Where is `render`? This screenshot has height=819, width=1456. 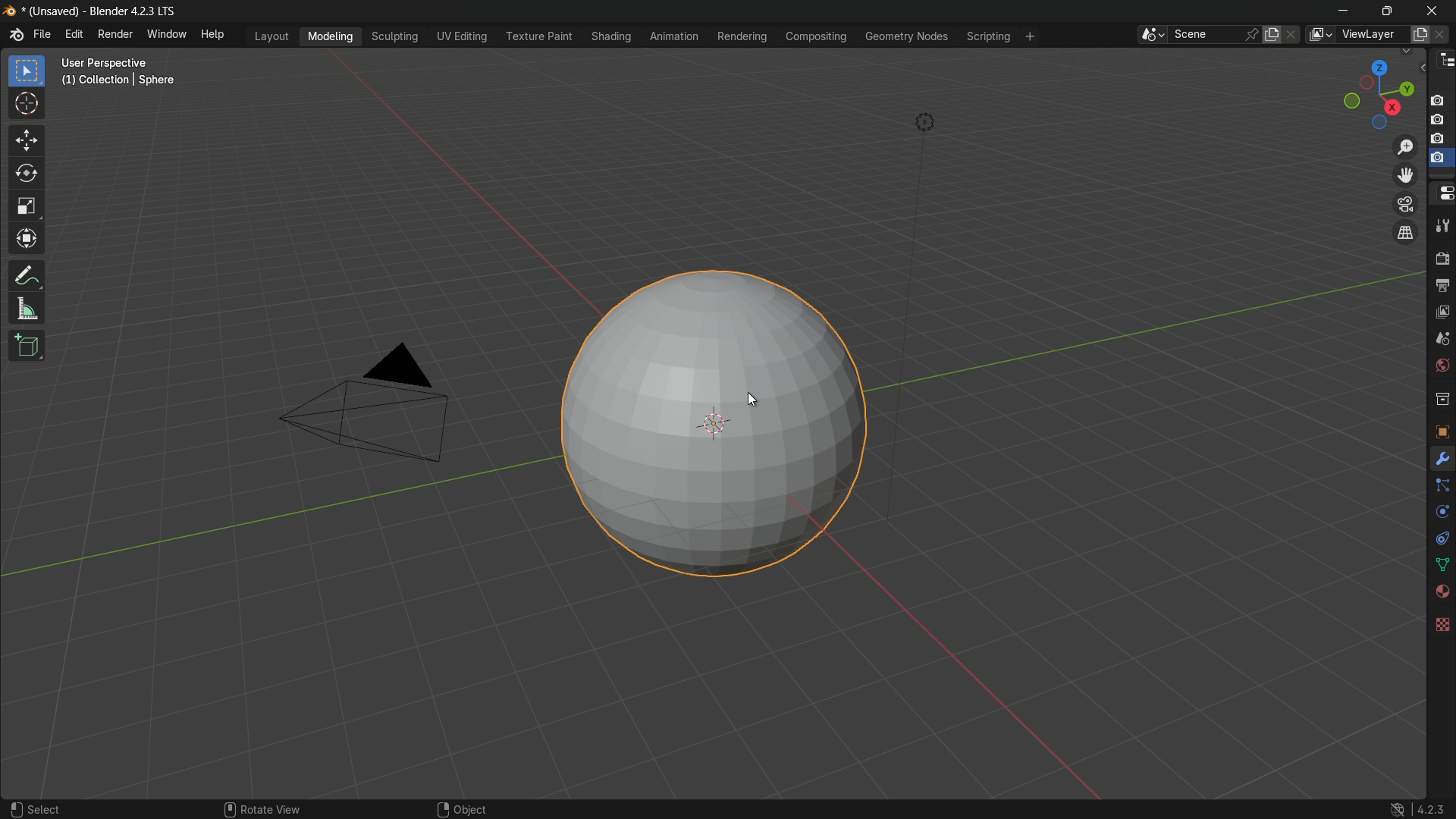
render is located at coordinates (1442, 259).